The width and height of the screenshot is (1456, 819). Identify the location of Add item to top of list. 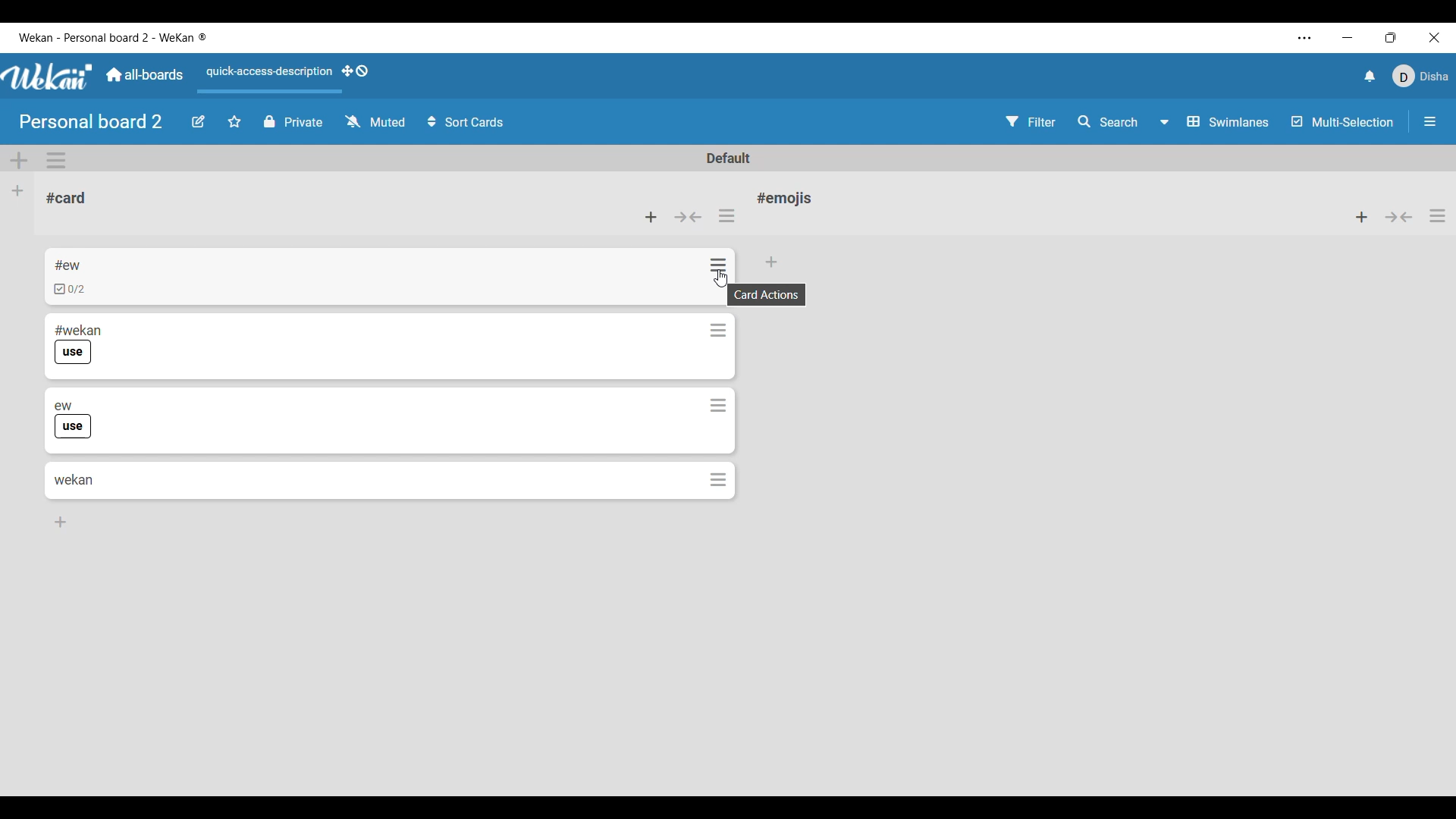
(1362, 217).